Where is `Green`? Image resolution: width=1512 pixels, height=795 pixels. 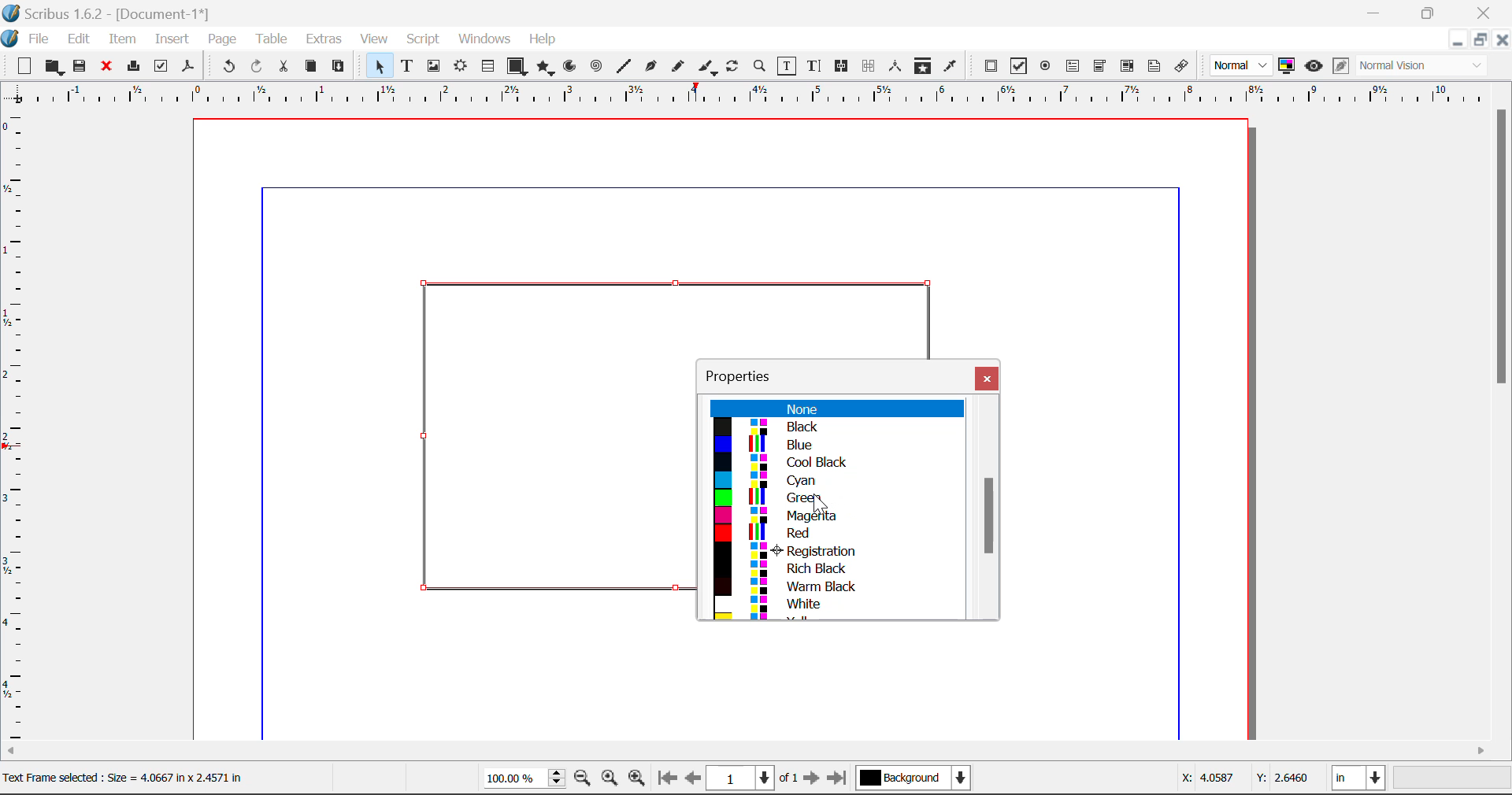
Green is located at coordinates (831, 497).